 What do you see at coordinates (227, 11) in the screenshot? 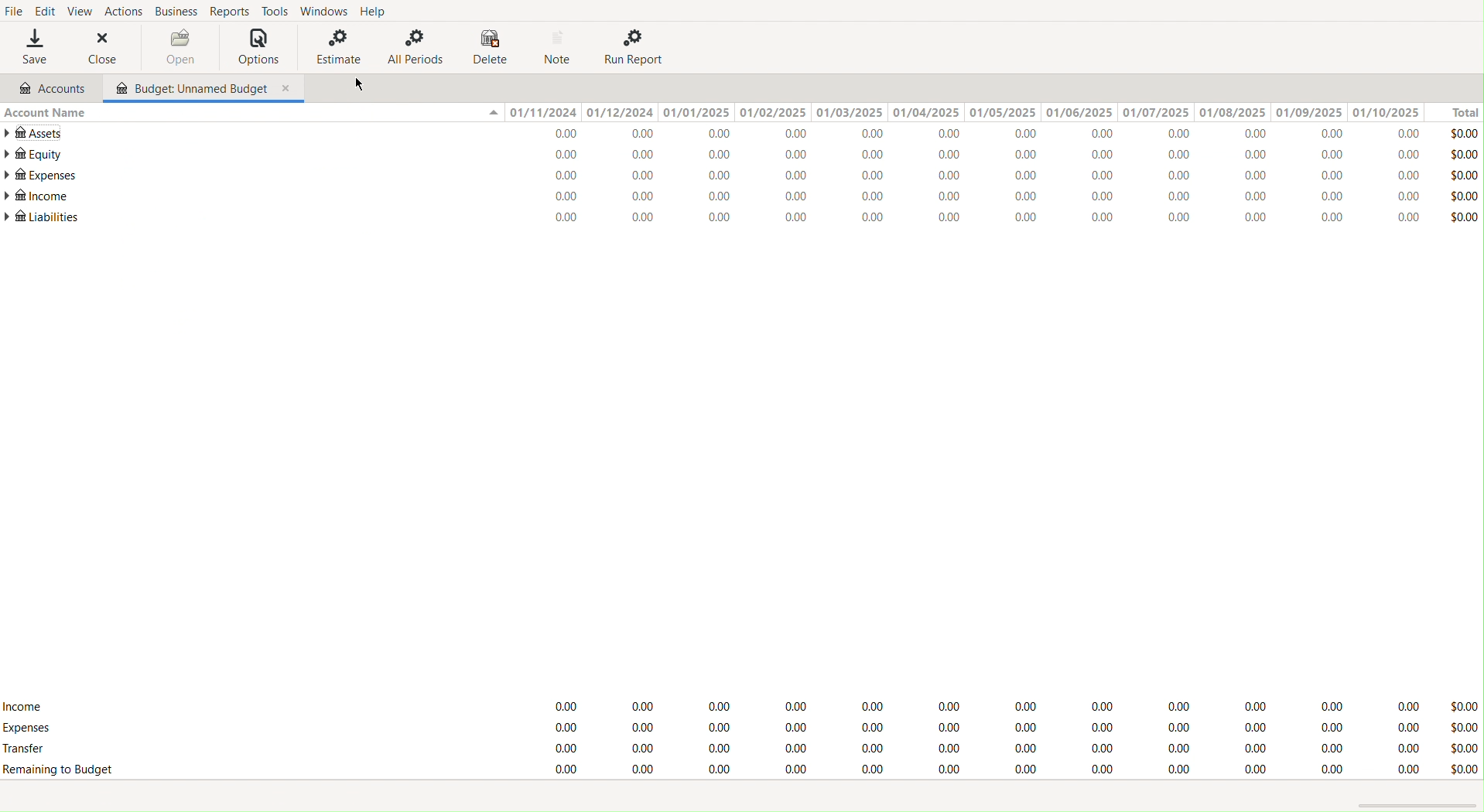
I see `Reports` at bounding box center [227, 11].